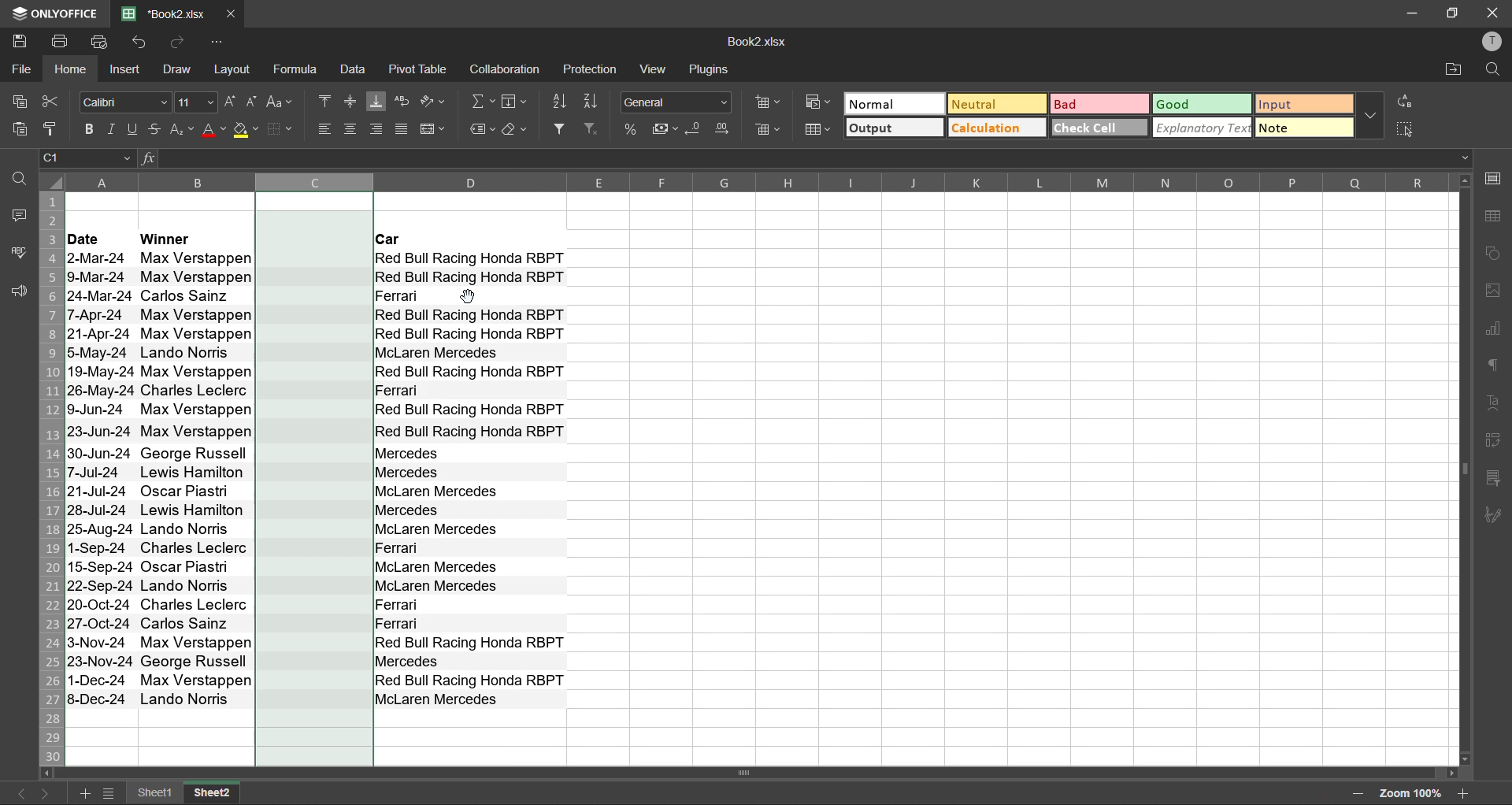  Describe the element at coordinates (1493, 368) in the screenshot. I see `paragraph` at that location.